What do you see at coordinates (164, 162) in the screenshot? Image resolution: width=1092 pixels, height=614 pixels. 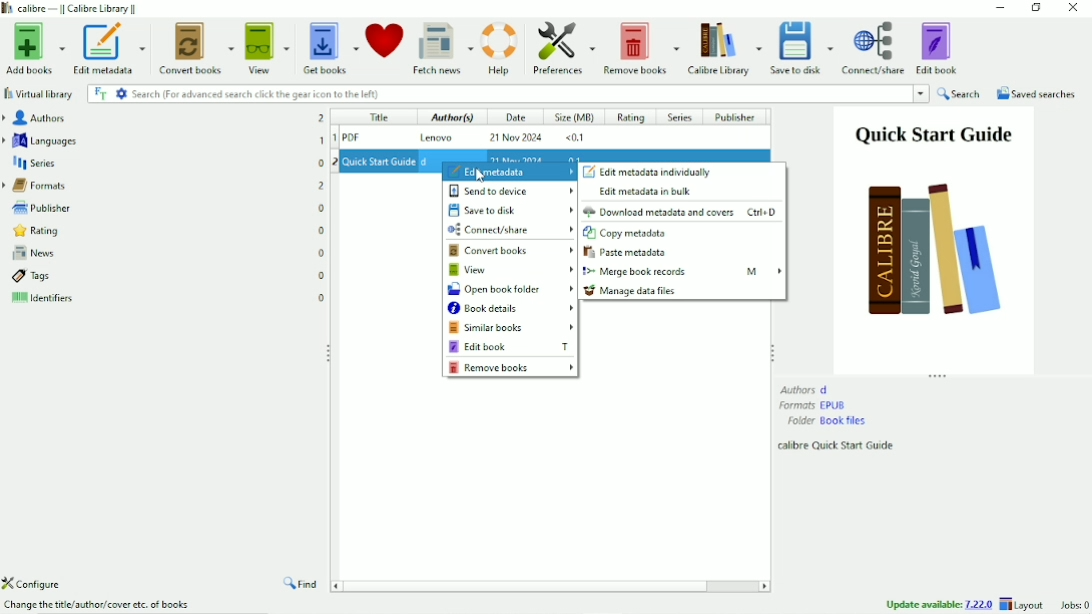 I see `Series` at bounding box center [164, 162].